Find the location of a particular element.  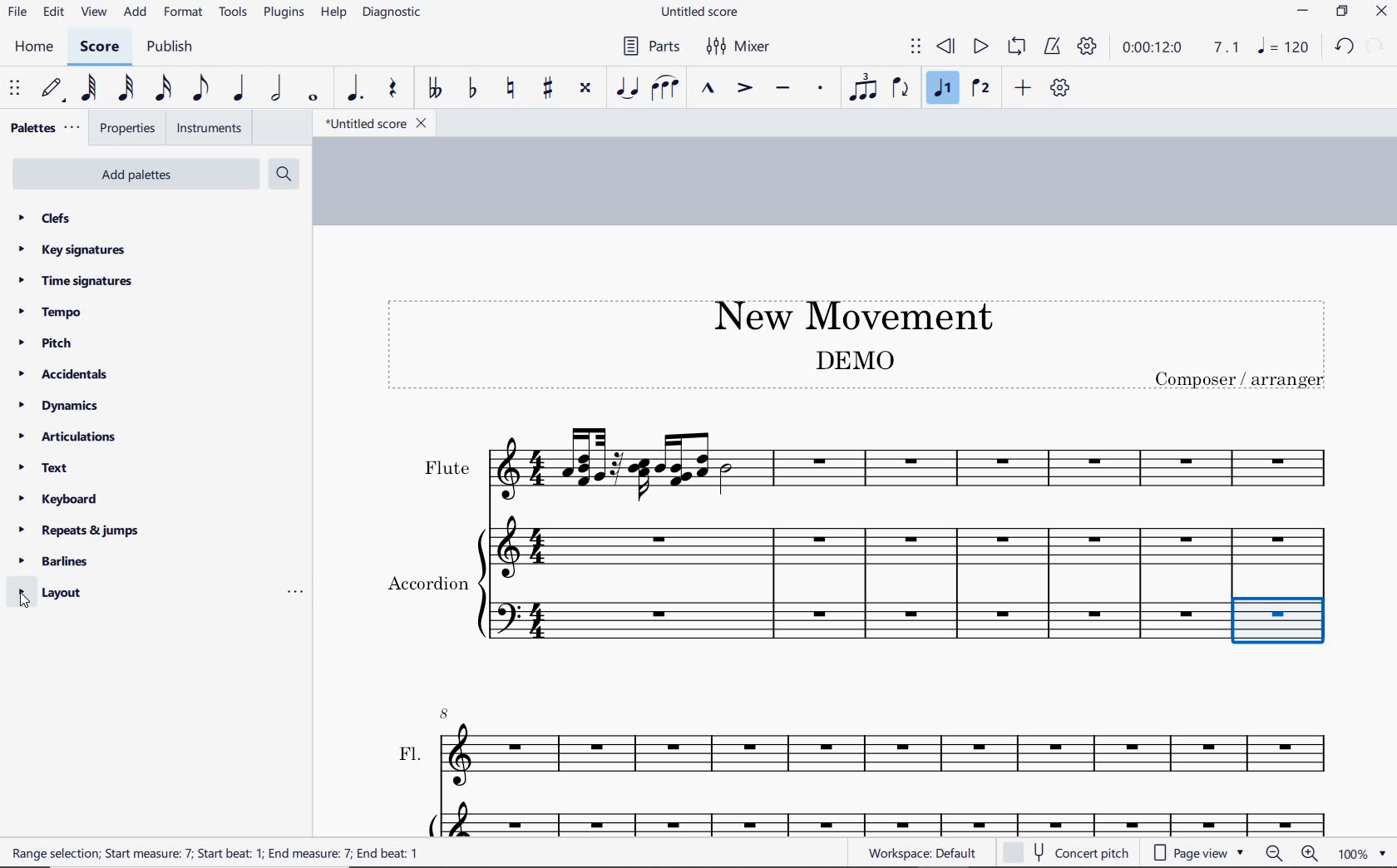

workspace: default is located at coordinates (920, 852).